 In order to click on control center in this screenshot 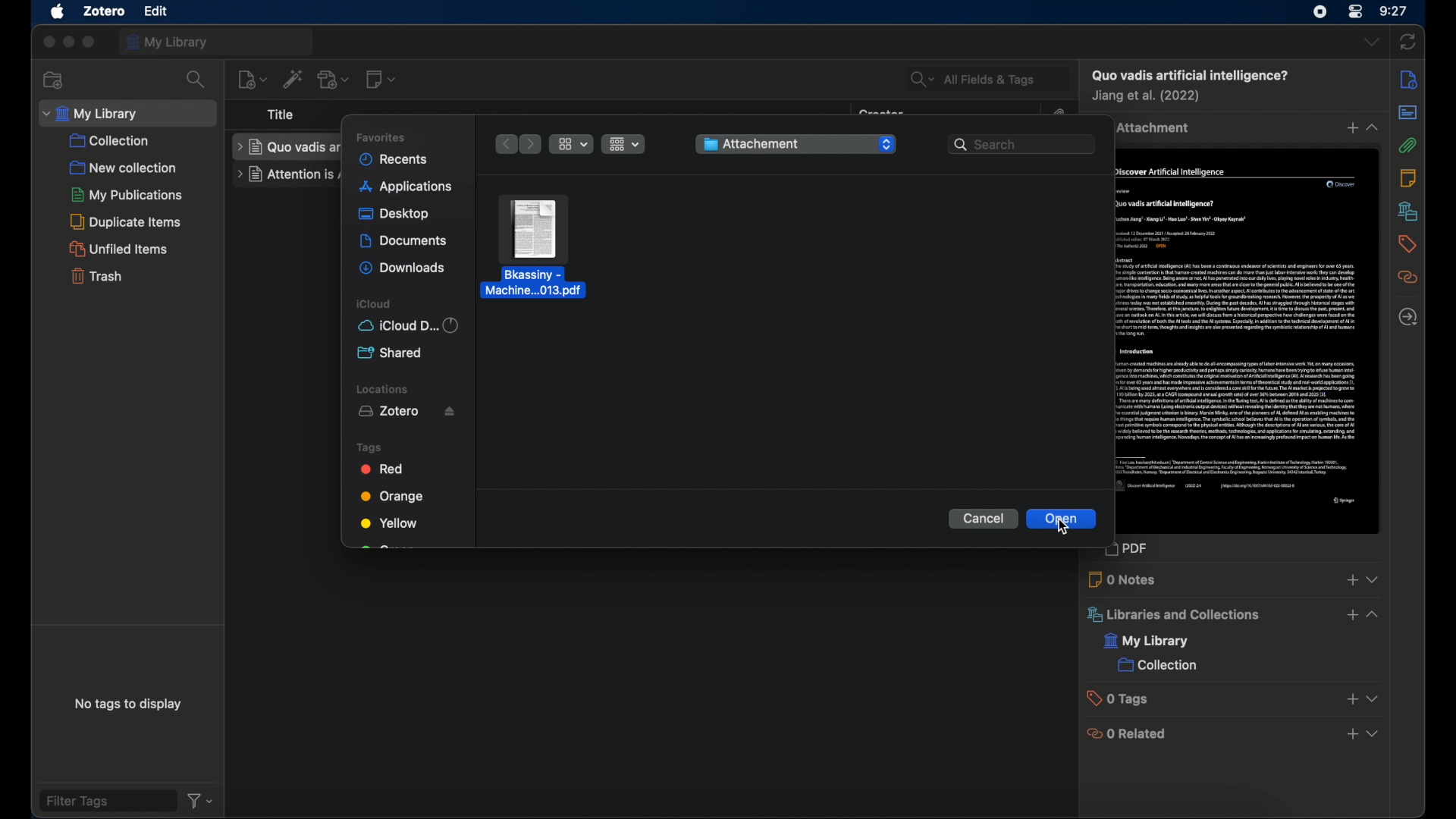, I will do `click(1356, 13)`.